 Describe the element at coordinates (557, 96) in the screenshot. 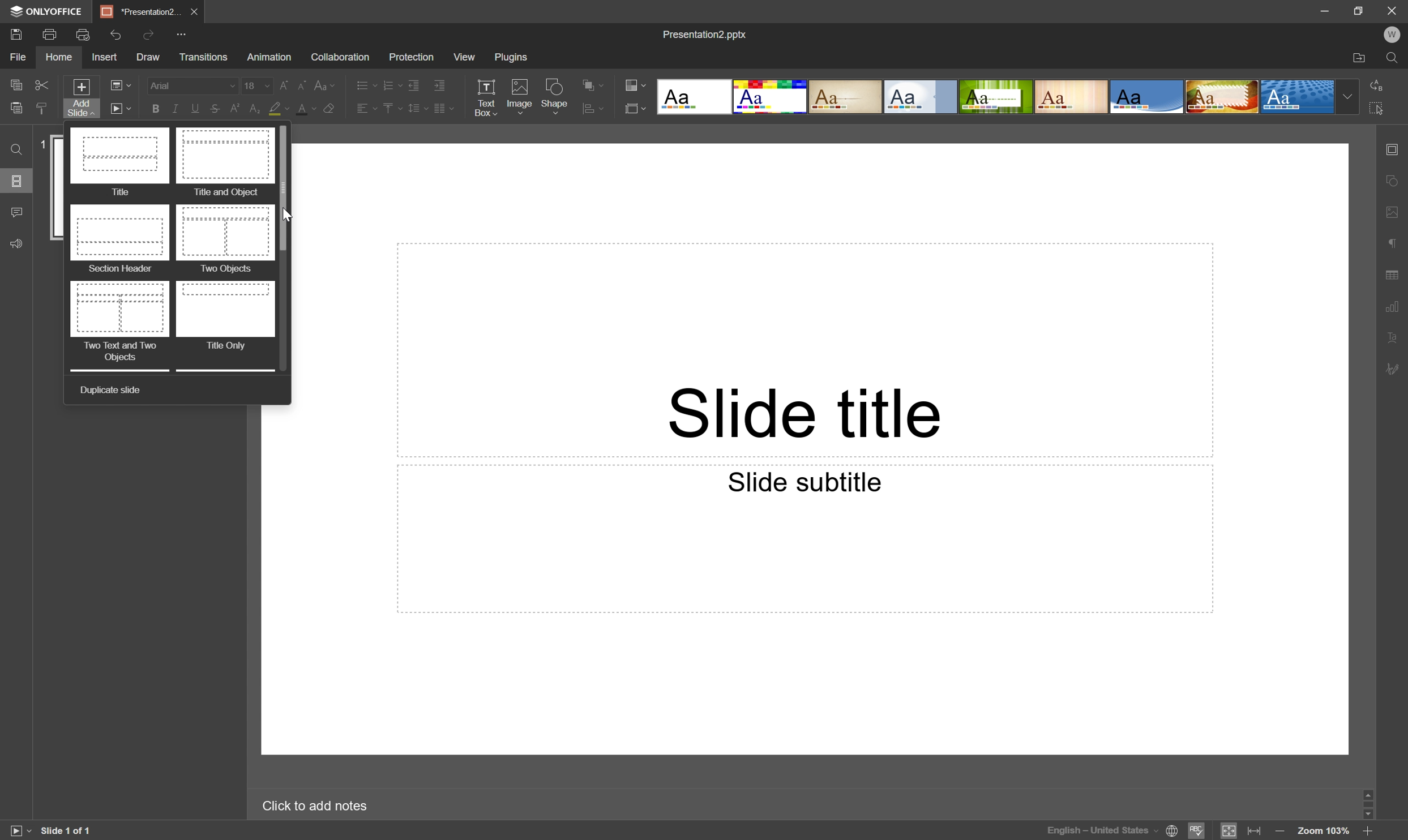

I see `Shape` at that location.